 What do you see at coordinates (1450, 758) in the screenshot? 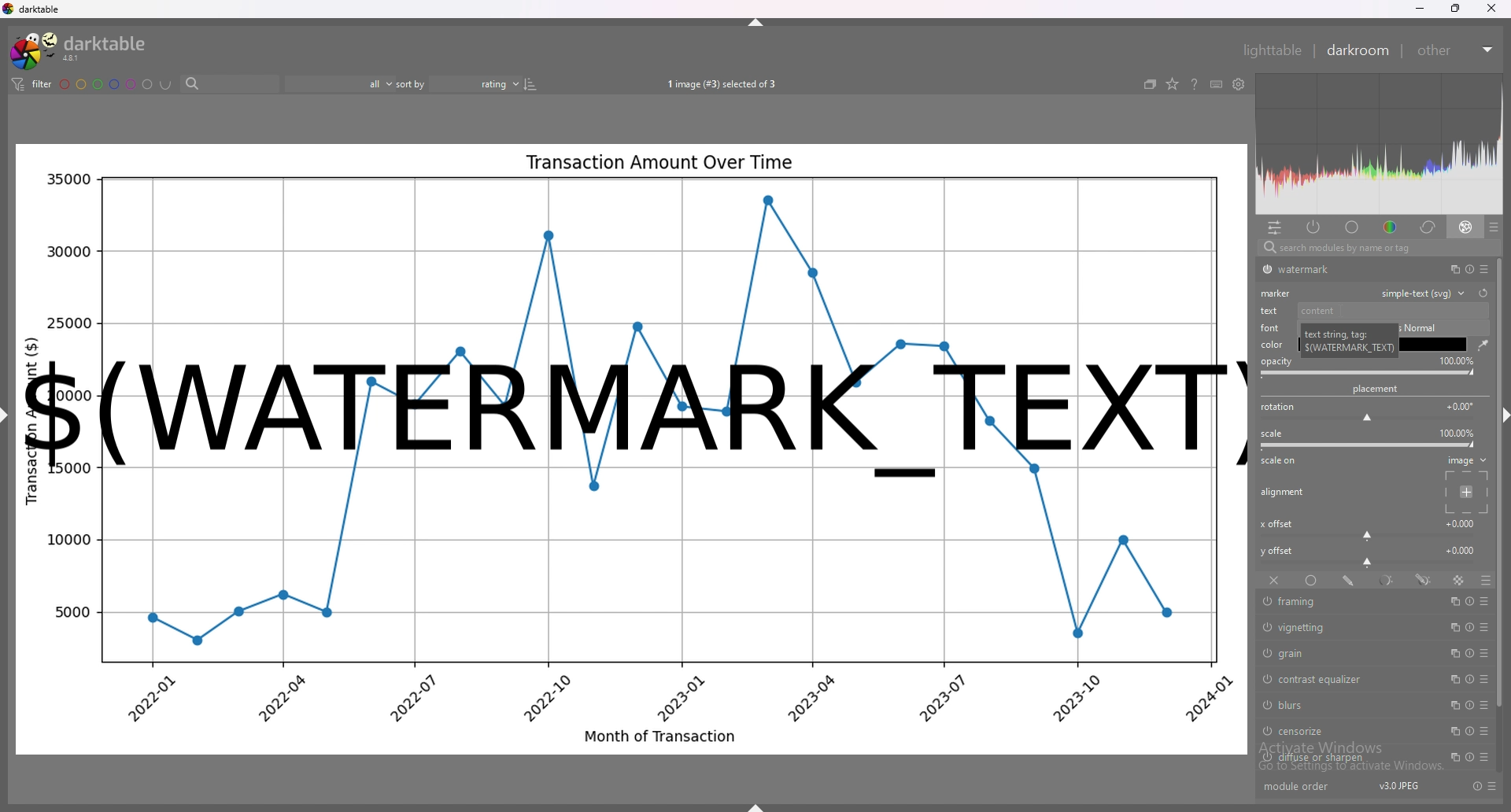
I see `multiple instances action` at bounding box center [1450, 758].